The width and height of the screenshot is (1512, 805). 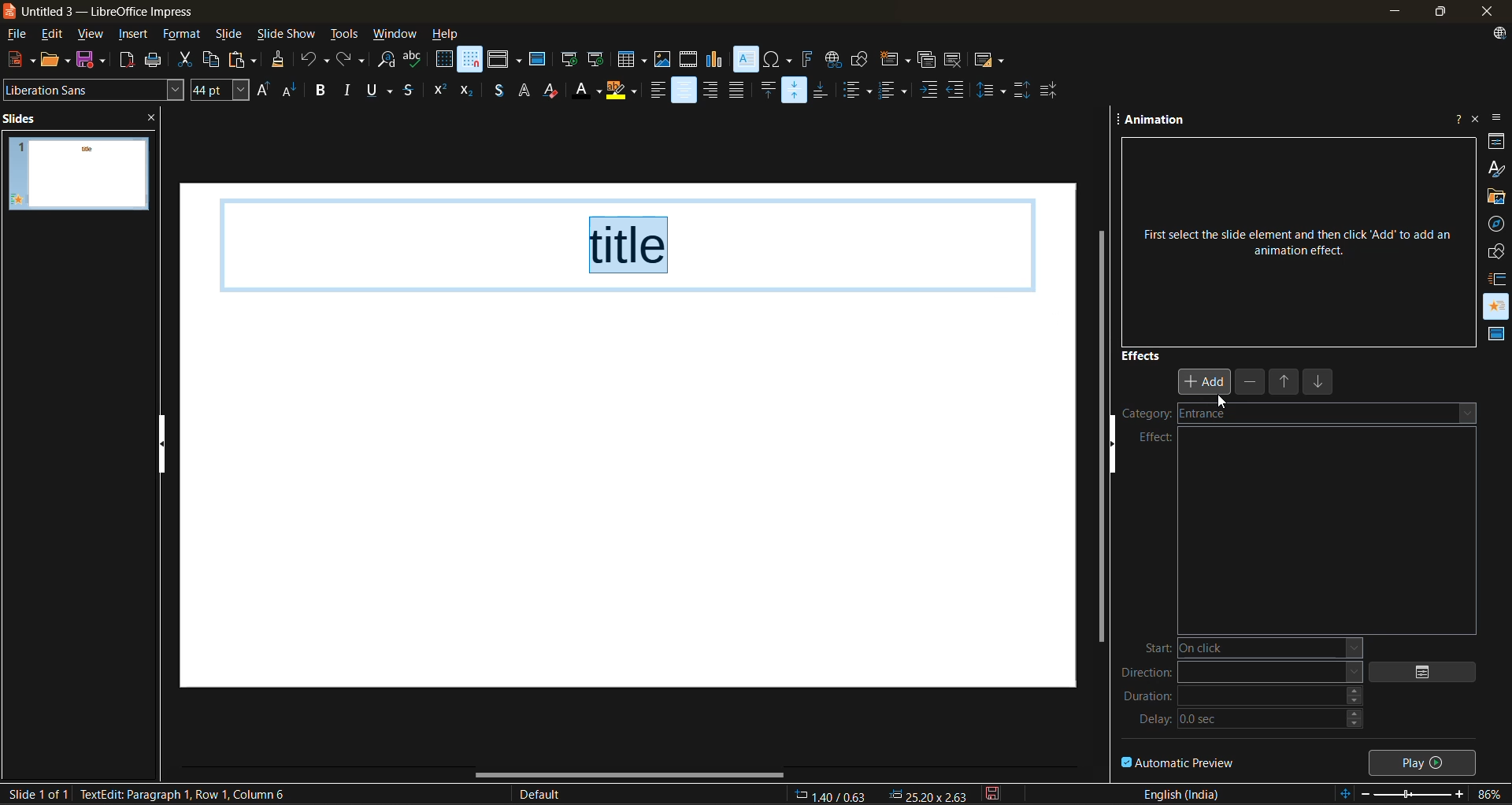 I want to click on start from first slide, so click(x=569, y=61).